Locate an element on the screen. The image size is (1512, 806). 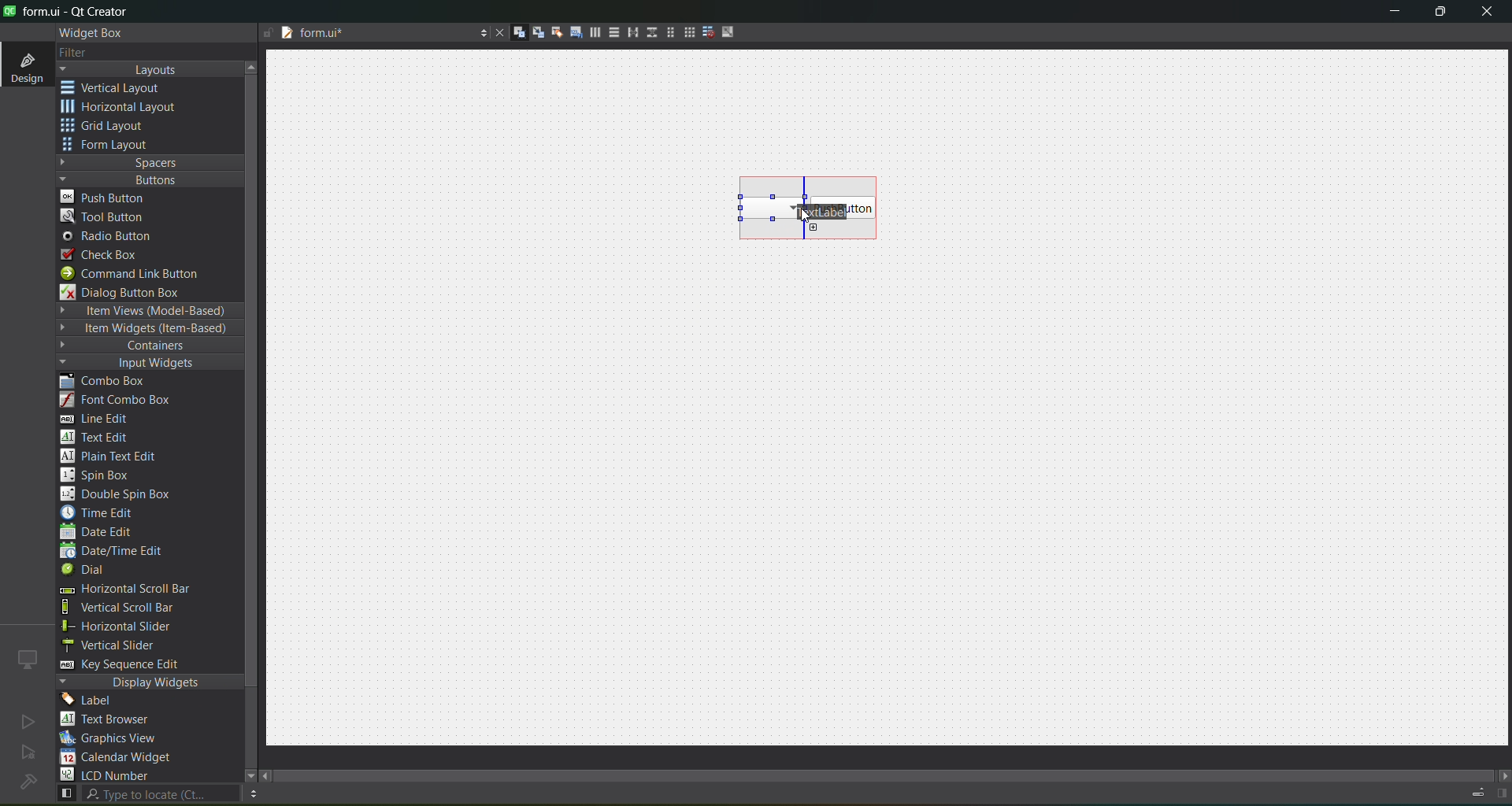
horizontal slider is located at coordinates (134, 627).